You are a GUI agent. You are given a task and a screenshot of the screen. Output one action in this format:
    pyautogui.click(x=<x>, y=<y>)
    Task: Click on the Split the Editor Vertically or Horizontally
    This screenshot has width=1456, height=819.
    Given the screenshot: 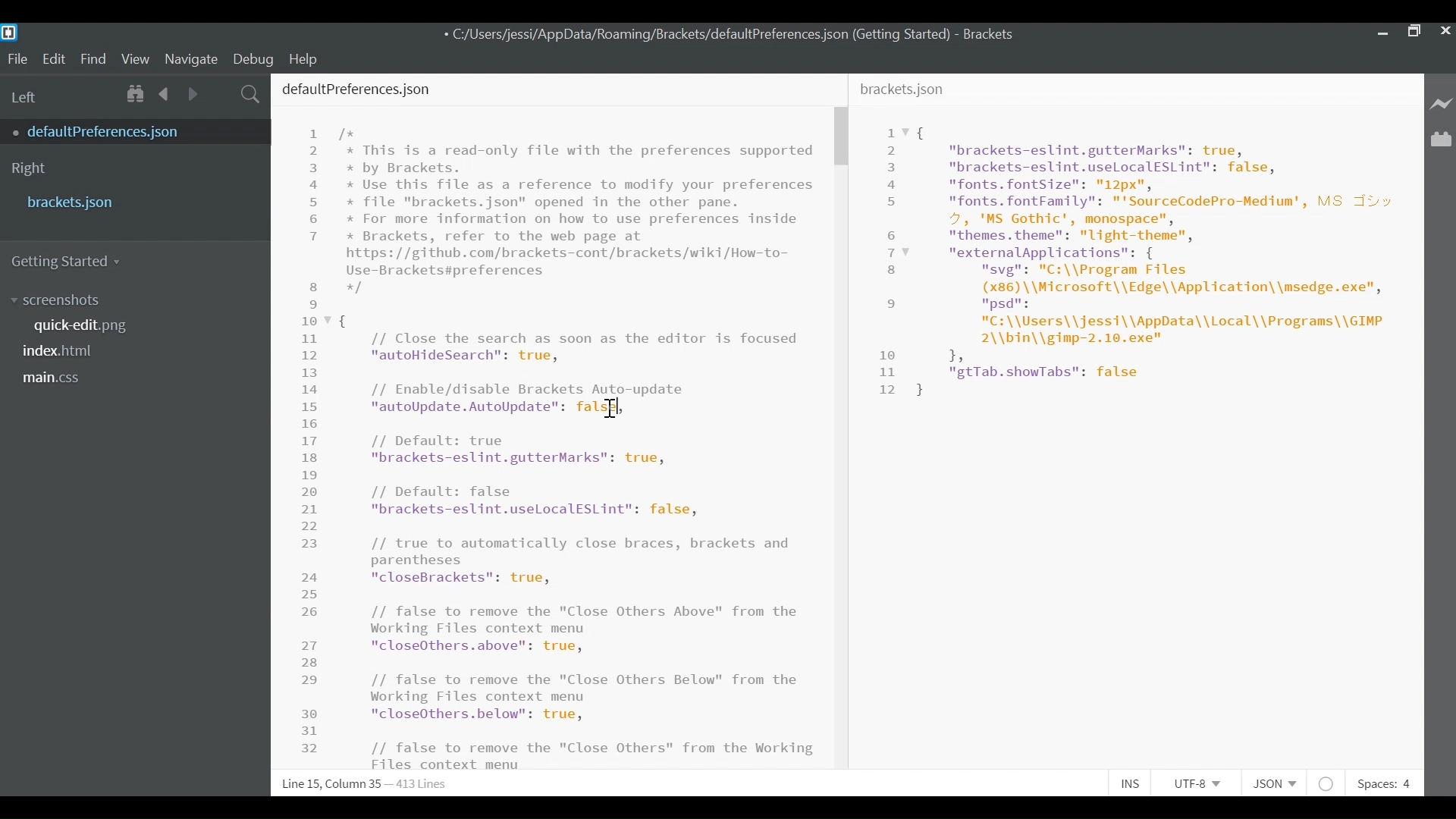 What is the action you would take?
    pyautogui.click(x=221, y=93)
    